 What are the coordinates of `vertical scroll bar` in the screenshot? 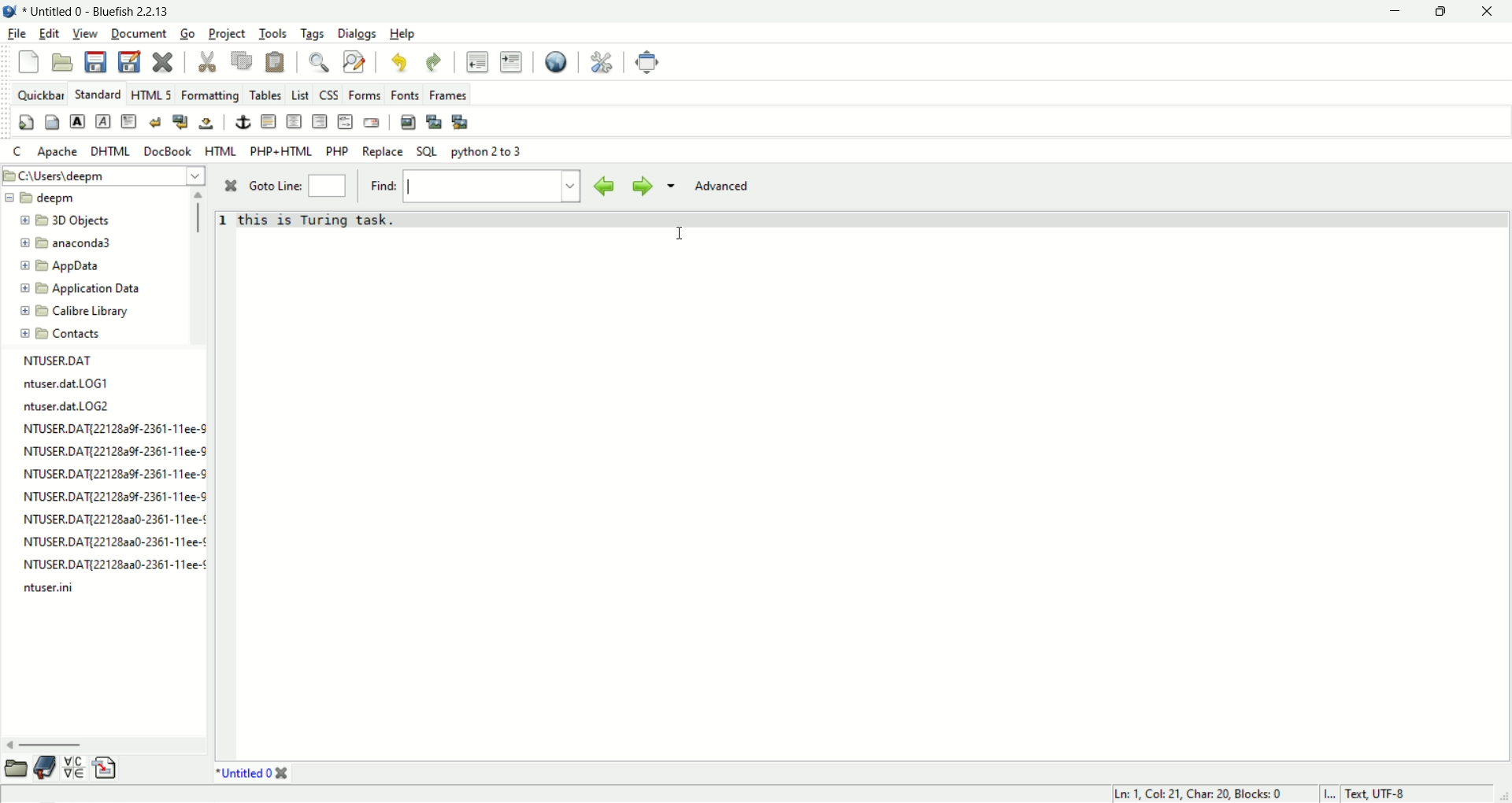 It's located at (202, 214).